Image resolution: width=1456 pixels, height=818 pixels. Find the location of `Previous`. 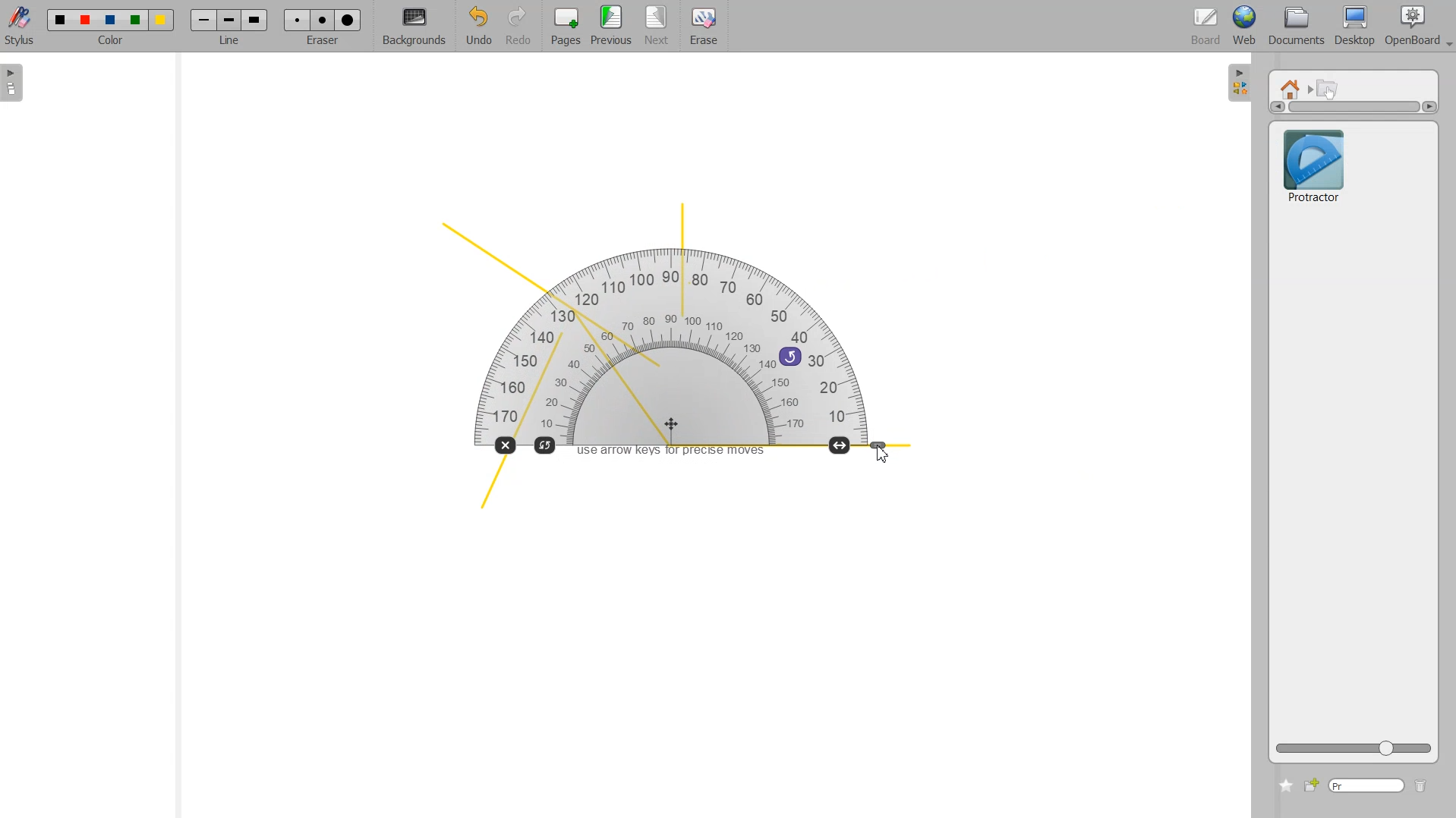

Previous is located at coordinates (613, 27).